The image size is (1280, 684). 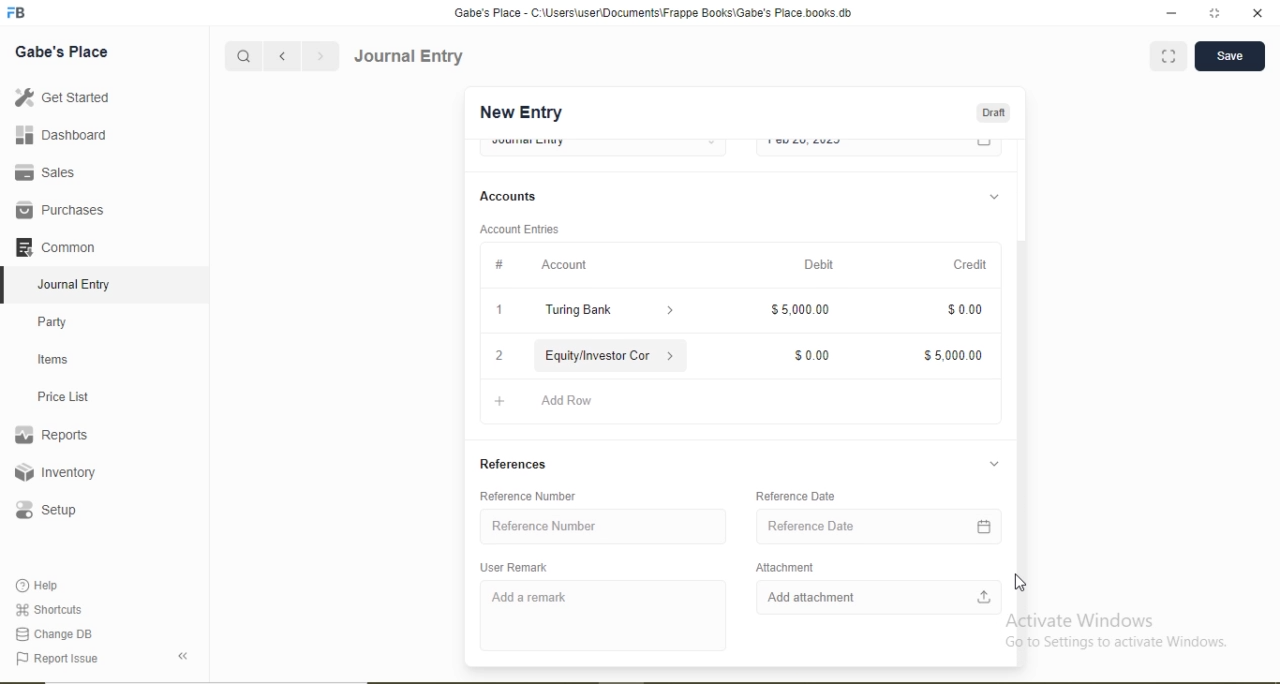 What do you see at coordinates (62, 134) in the screenshot?
I see `Dashboard` at bounding box center [62, 134].